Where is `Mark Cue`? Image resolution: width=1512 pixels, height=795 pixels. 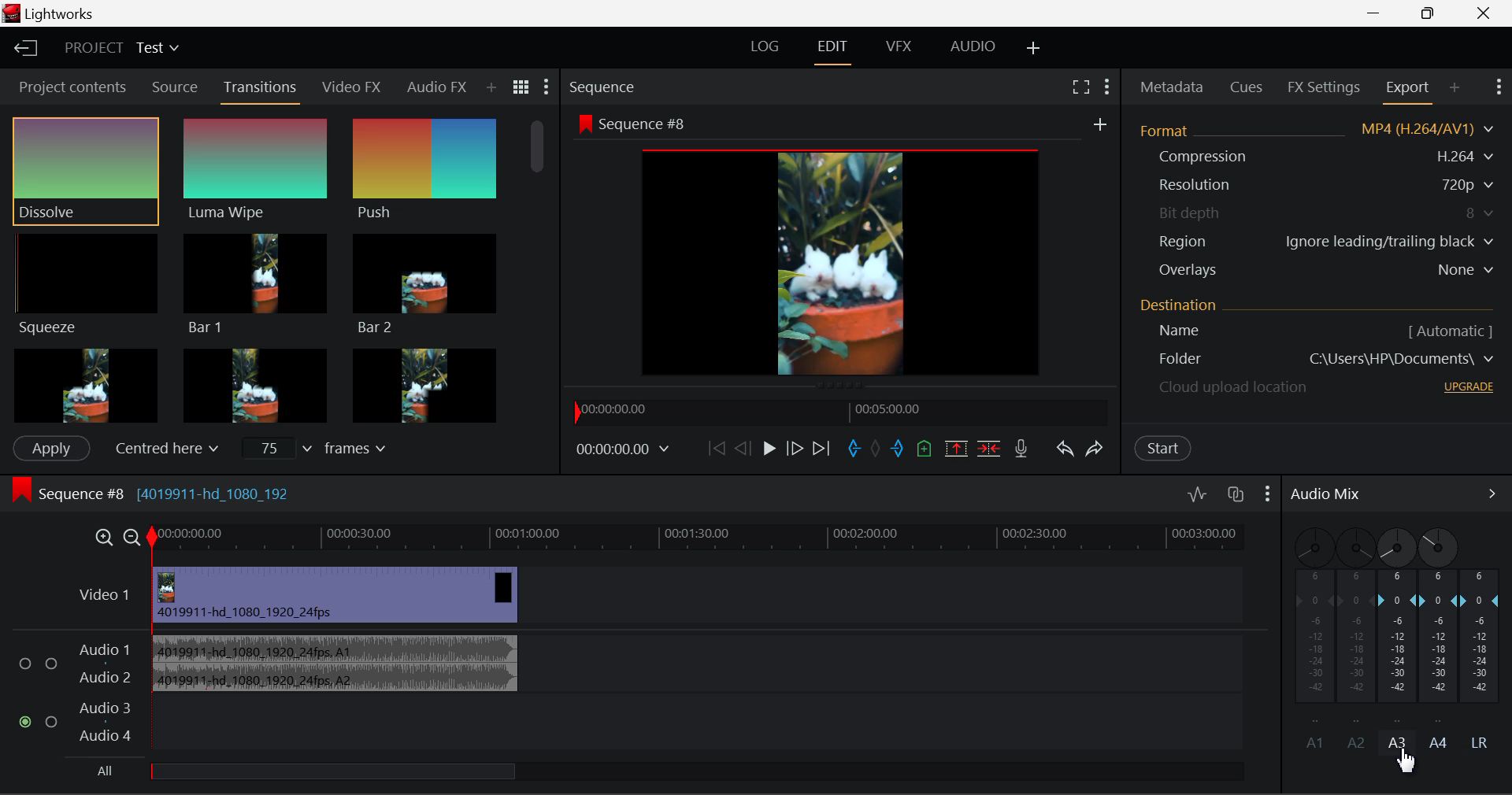 Mark Cue is located at coordinates (925, 448).